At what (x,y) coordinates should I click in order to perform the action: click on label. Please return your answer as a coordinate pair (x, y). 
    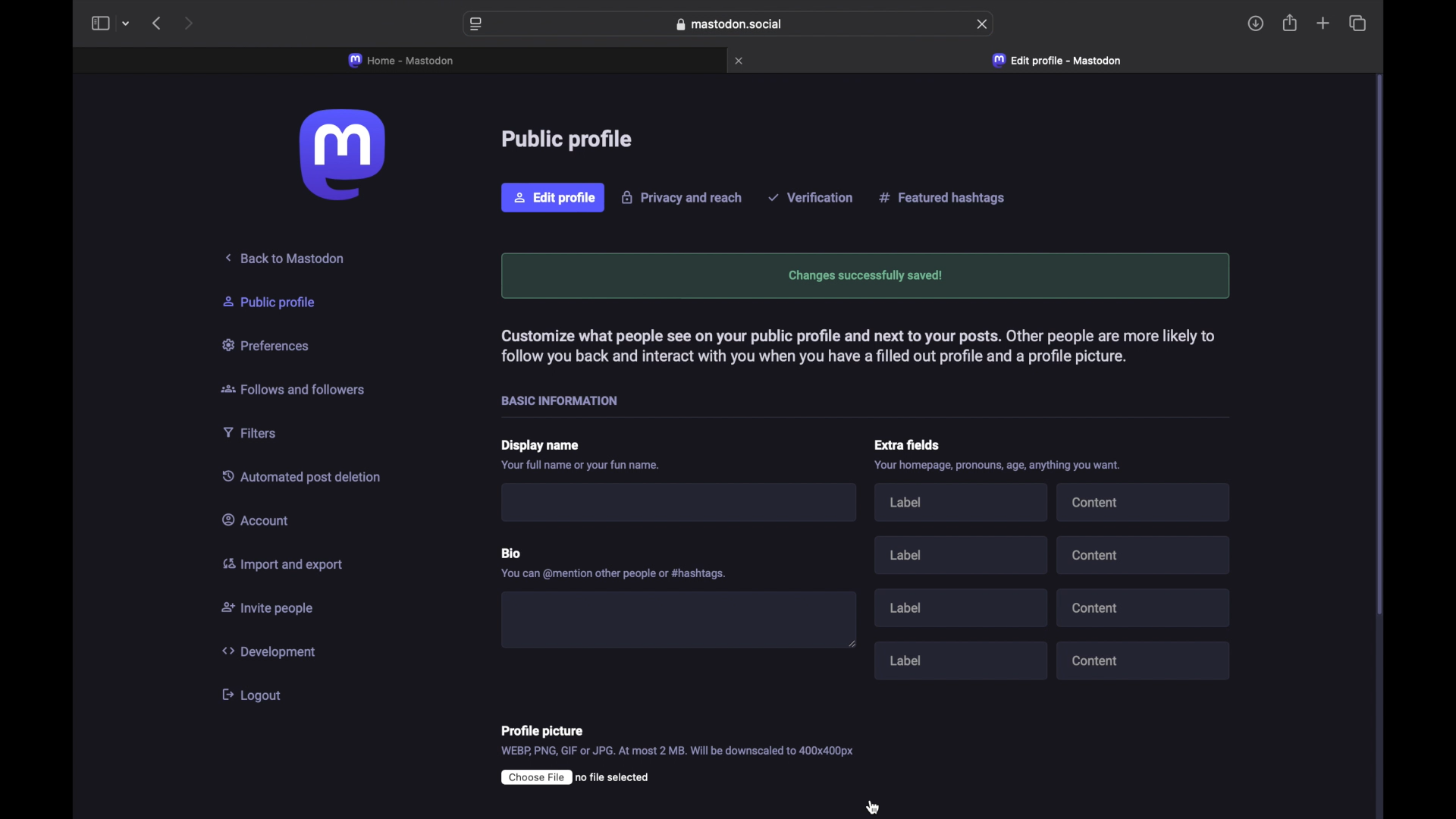
    Looking at the image, I should click on (961, 606).